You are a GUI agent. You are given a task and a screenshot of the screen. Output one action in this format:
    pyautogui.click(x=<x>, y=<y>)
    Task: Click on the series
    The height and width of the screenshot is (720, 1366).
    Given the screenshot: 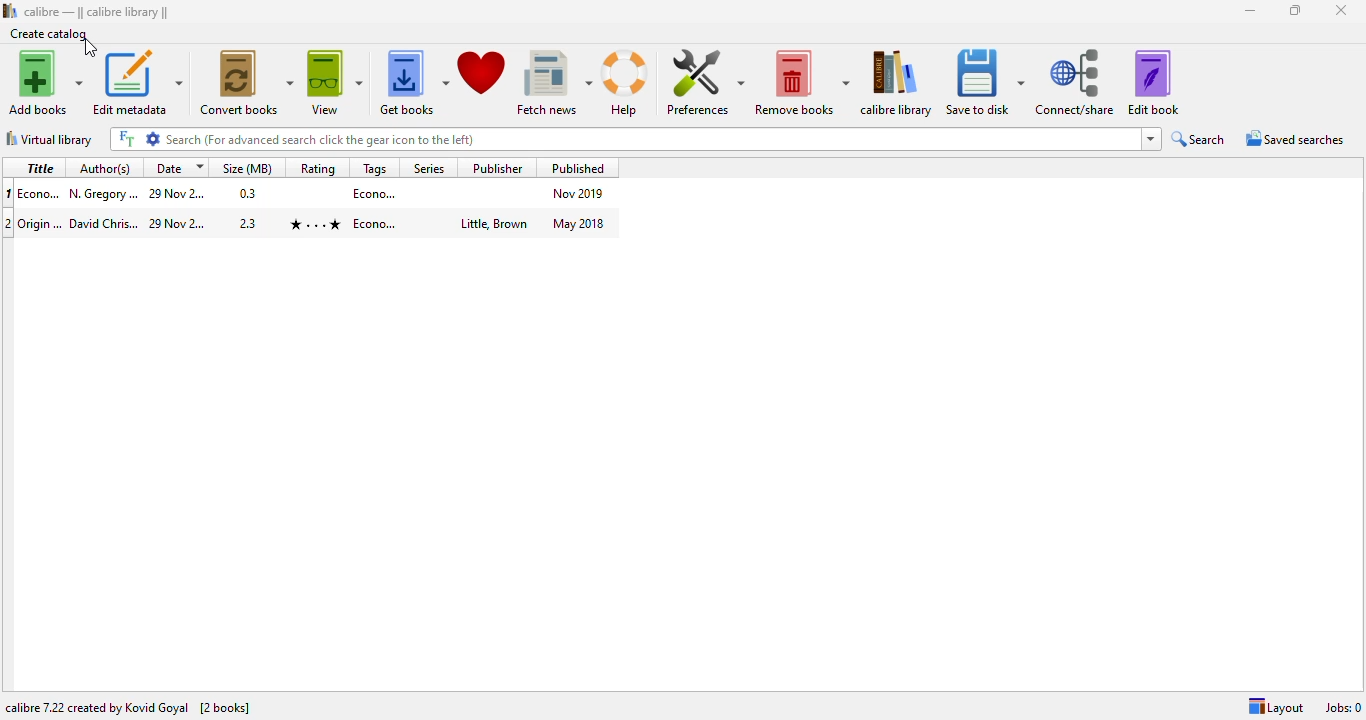 What is the action you would take?
    pyautogui.click(x=427, y=167)
    